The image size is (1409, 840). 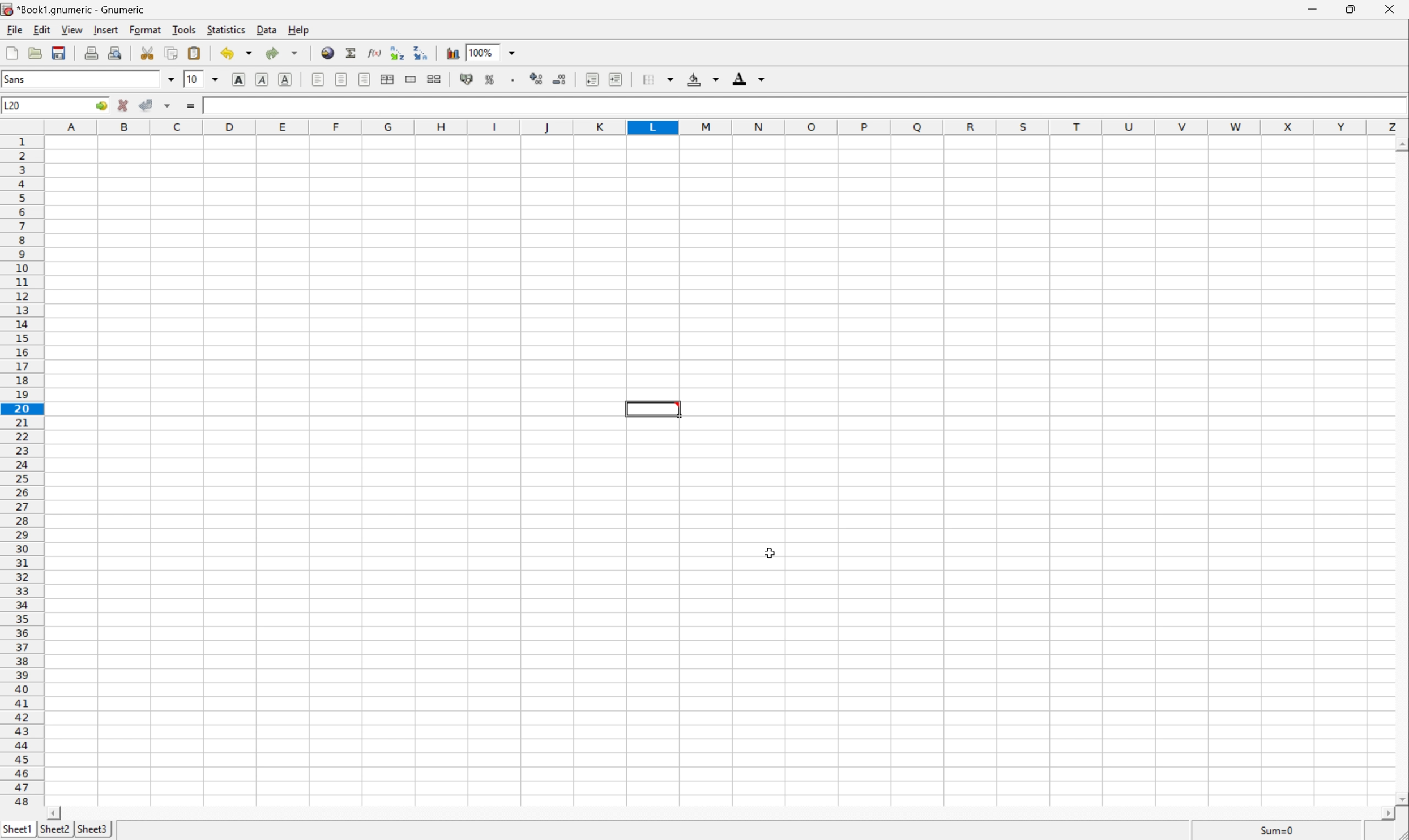 I want to click on Drop Down, so click(x=513, y=52).